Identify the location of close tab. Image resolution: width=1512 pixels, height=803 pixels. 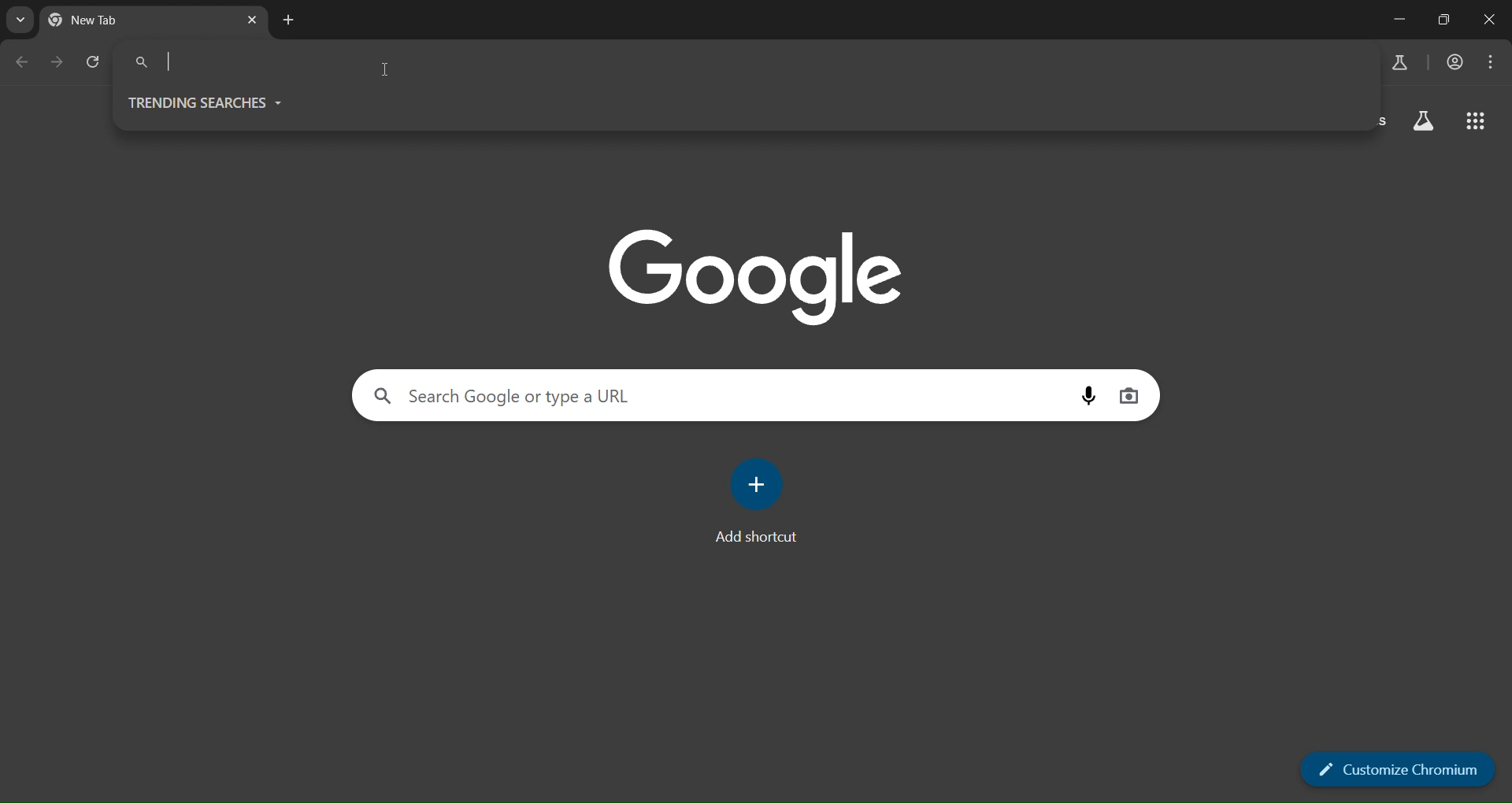
(248, 20).